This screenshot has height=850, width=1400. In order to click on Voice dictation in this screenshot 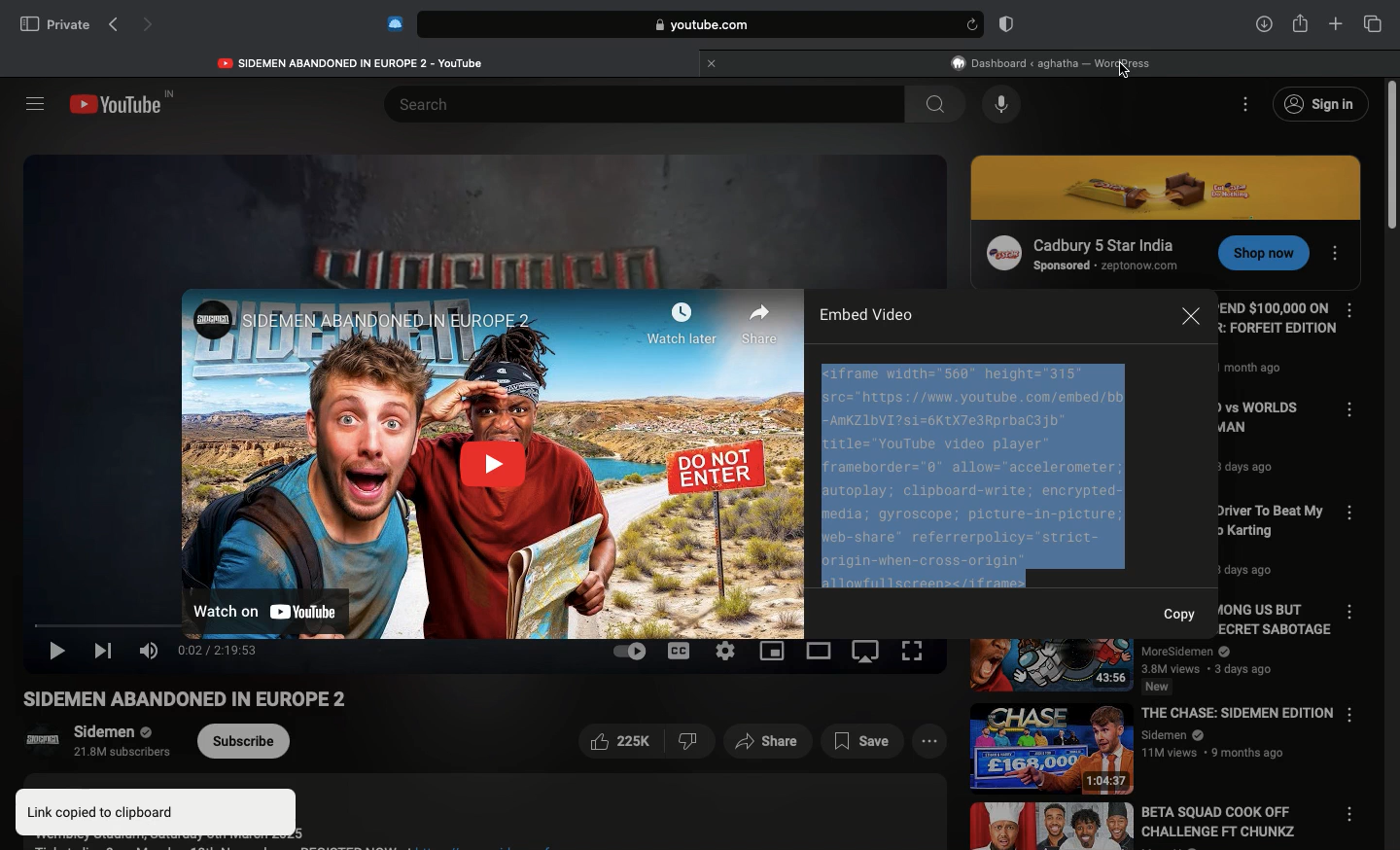, I will do `click(1002, 105)`.